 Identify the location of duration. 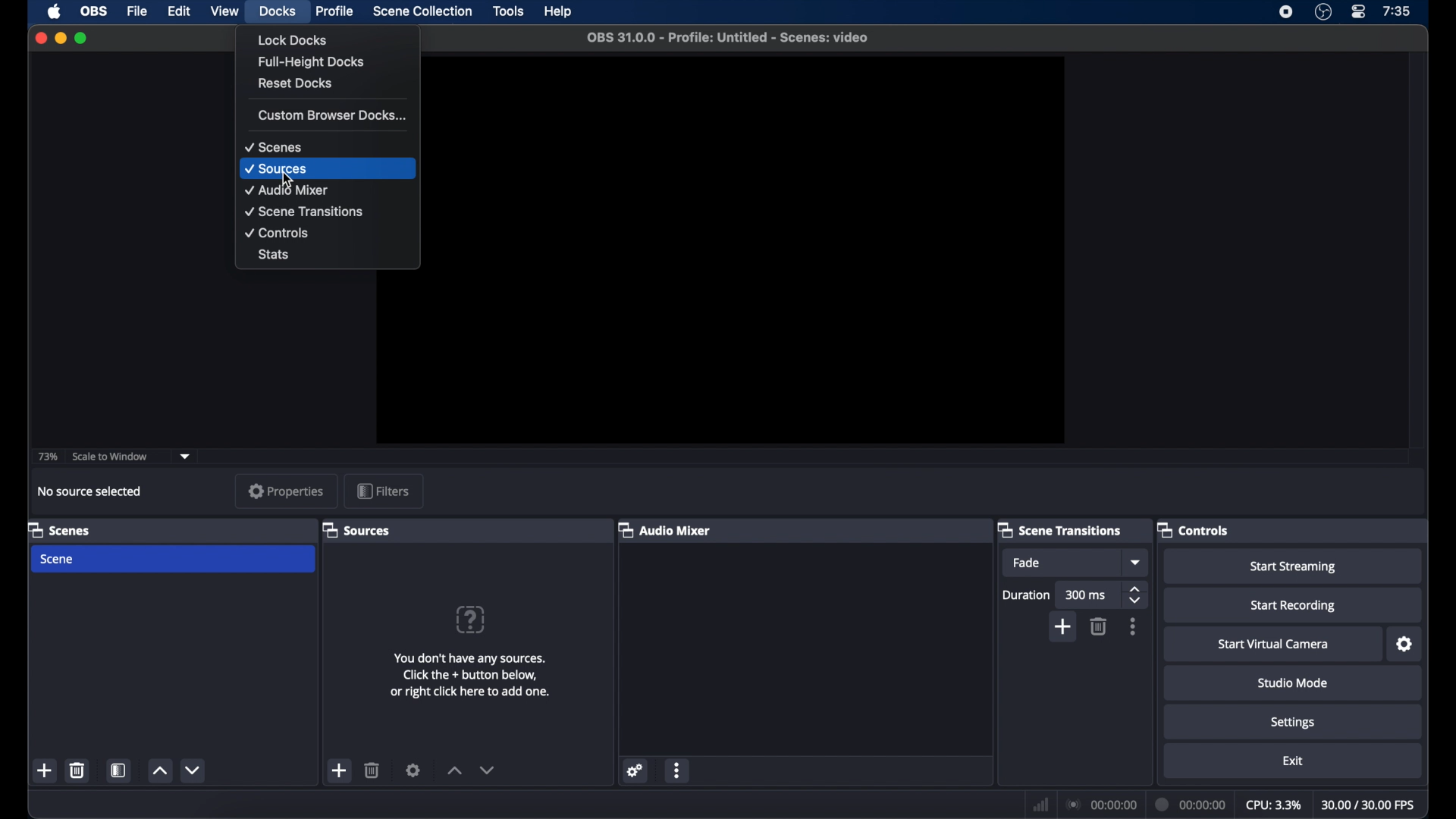
(1192, 805).